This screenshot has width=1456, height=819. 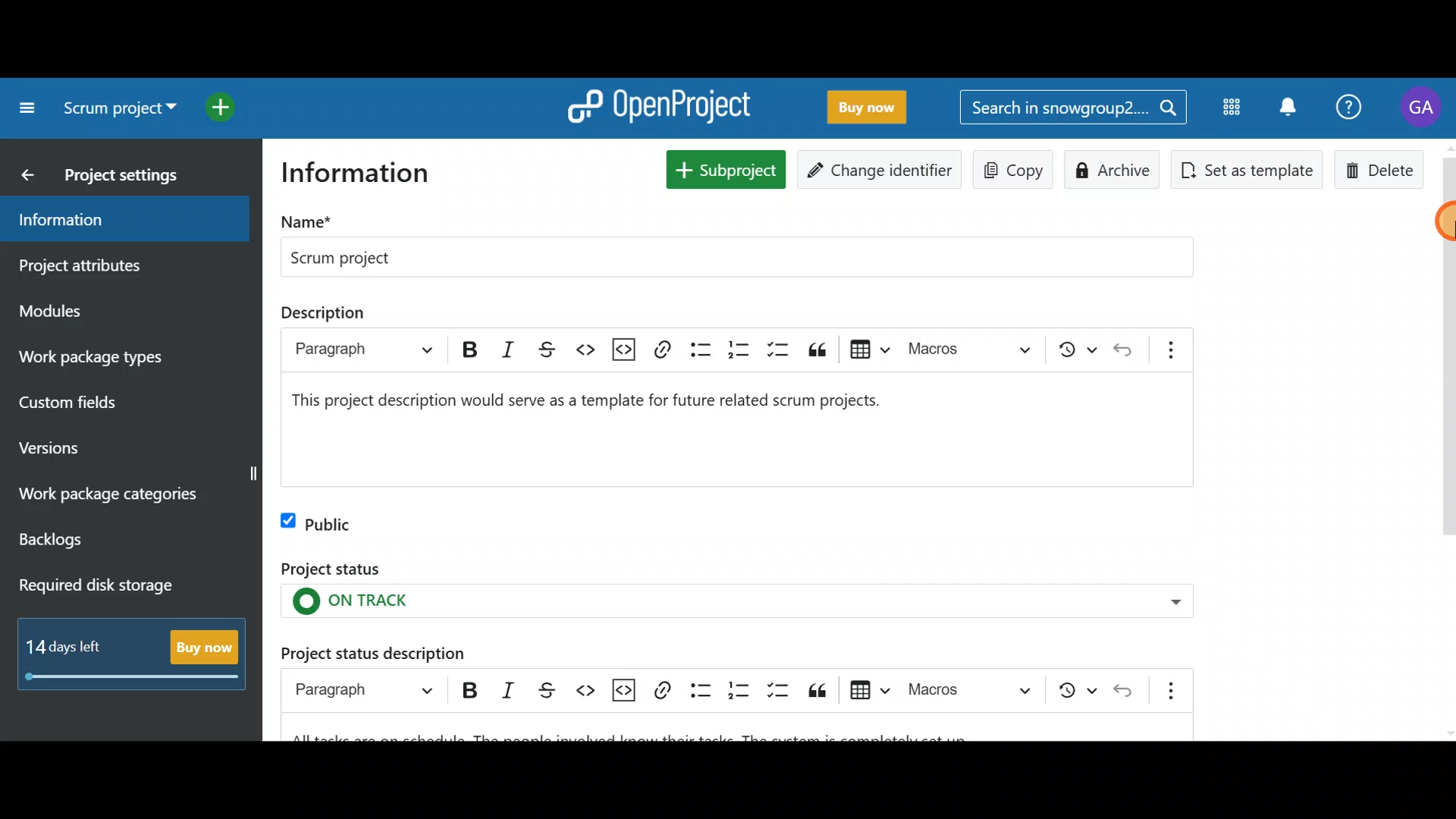 I want to click on Work package types, so click(x=122, y=356).